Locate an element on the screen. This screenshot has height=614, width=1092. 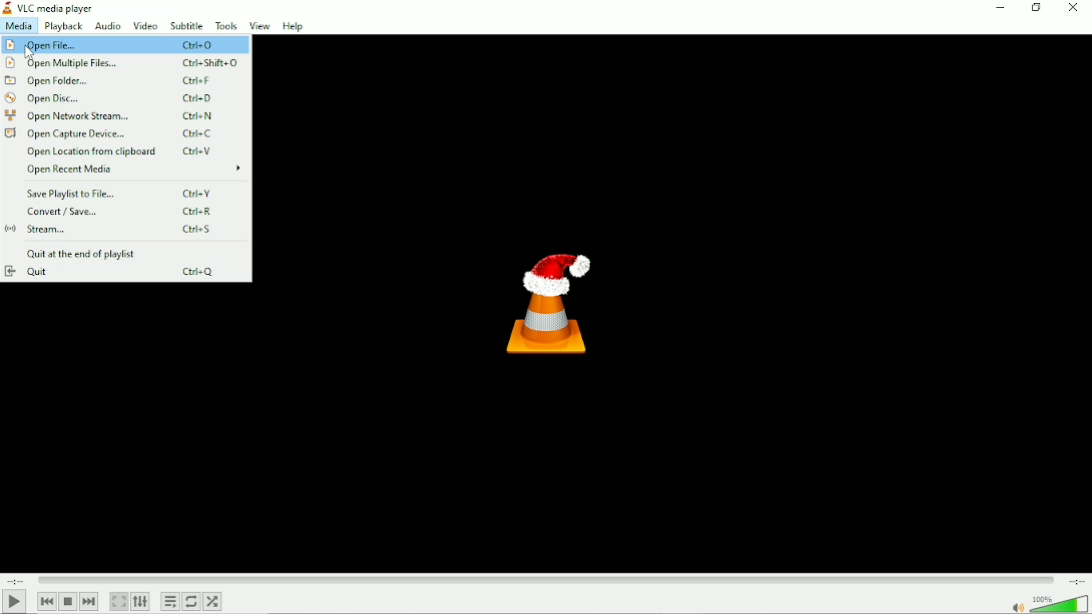
View is located at coordinates (259, 25).